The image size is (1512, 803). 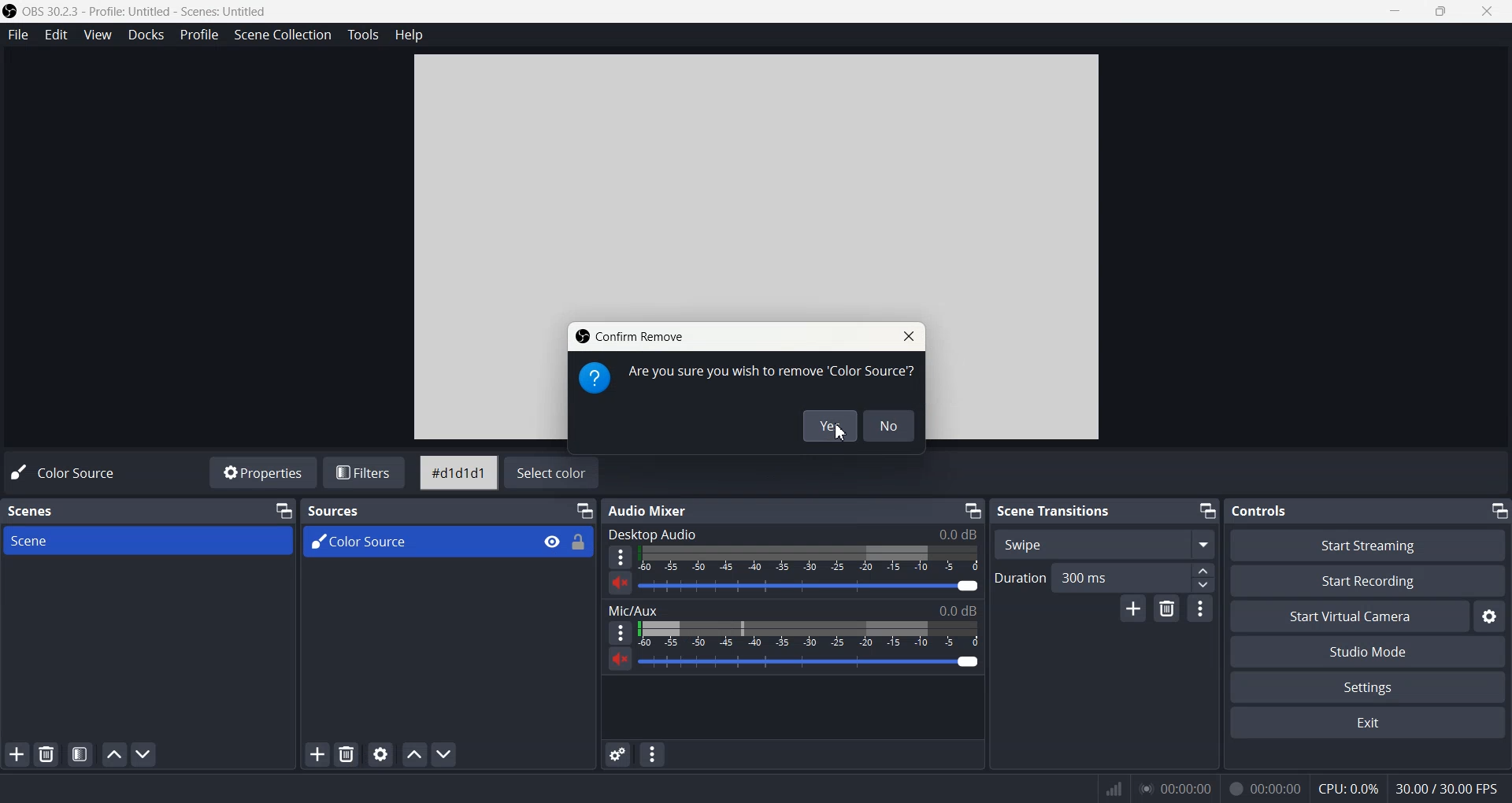 What do you see at coordinates (1261, 511) in the screenshot?
I see `Controls` at bounding box center [1261, 511].